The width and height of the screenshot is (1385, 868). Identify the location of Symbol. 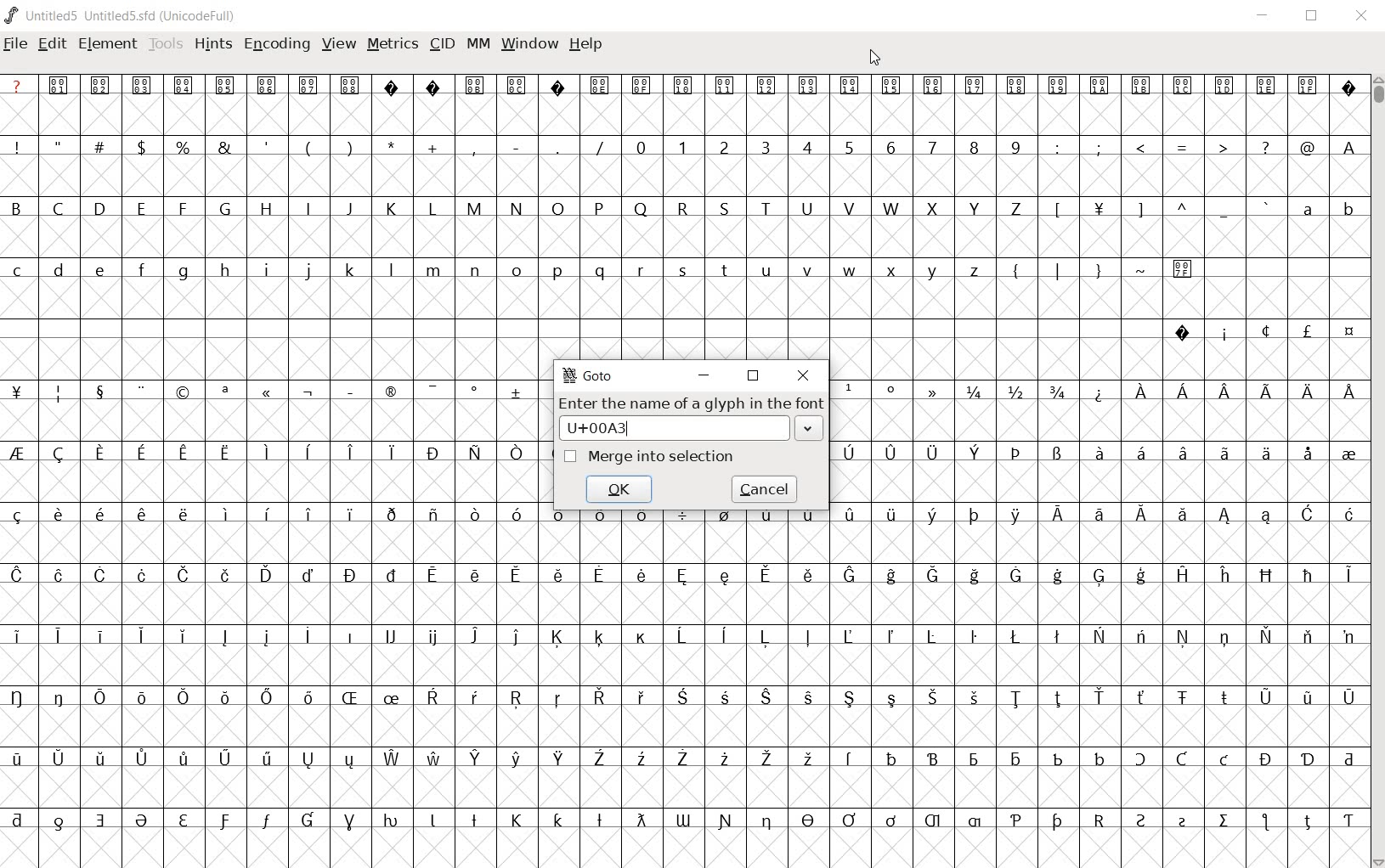
(765, 576).